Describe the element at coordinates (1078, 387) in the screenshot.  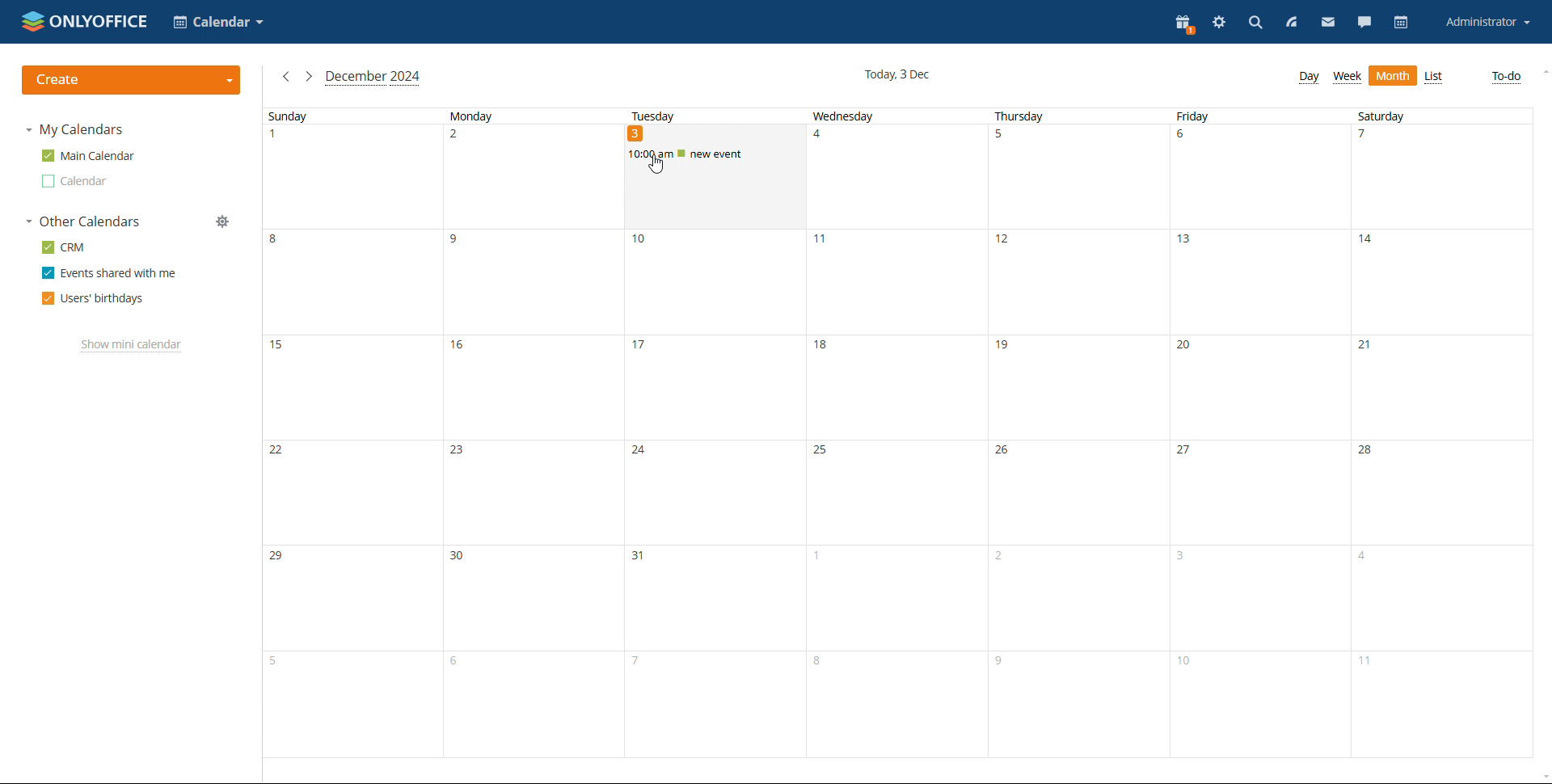
I see `19` at that location.